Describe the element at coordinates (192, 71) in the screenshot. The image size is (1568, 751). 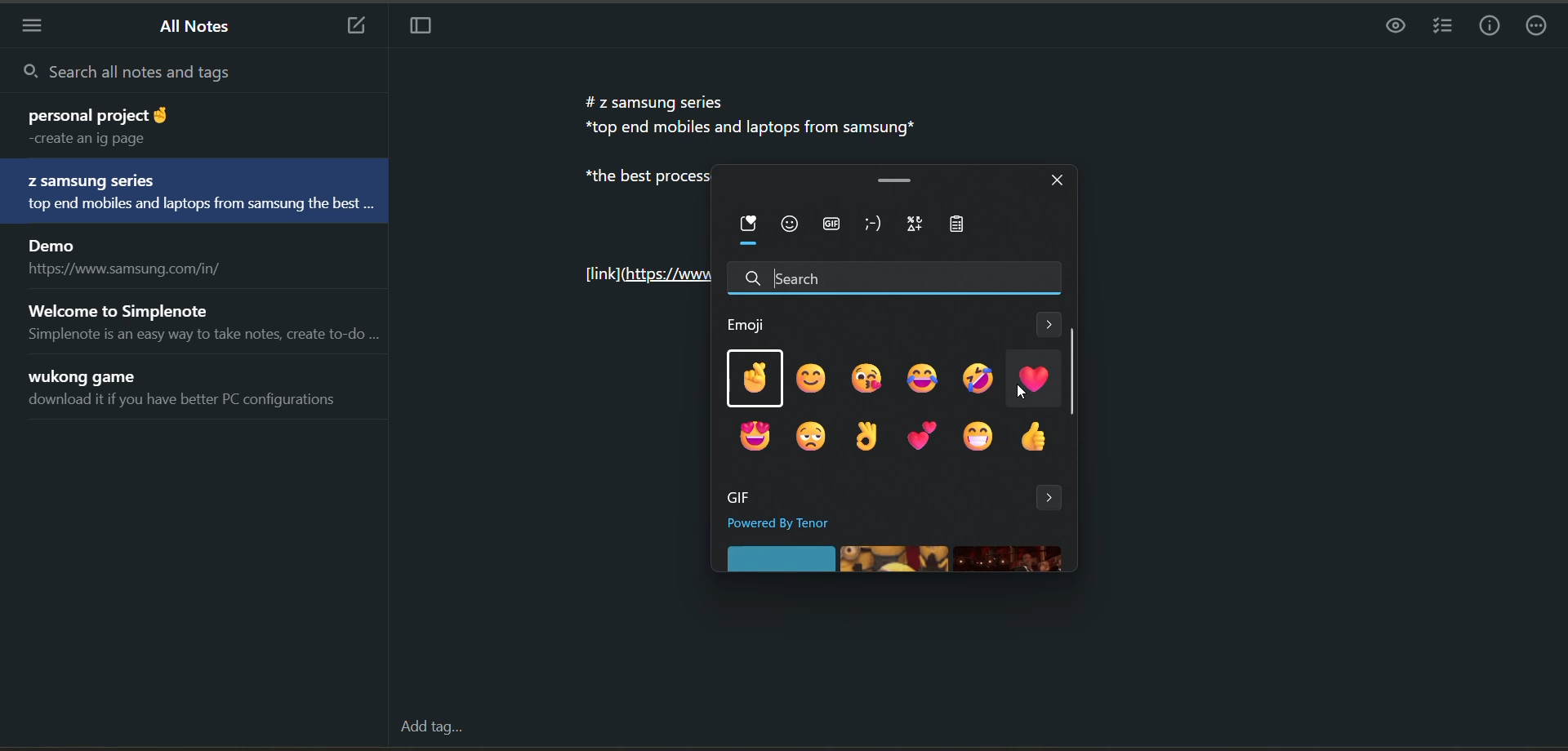
I see `search` at that location.